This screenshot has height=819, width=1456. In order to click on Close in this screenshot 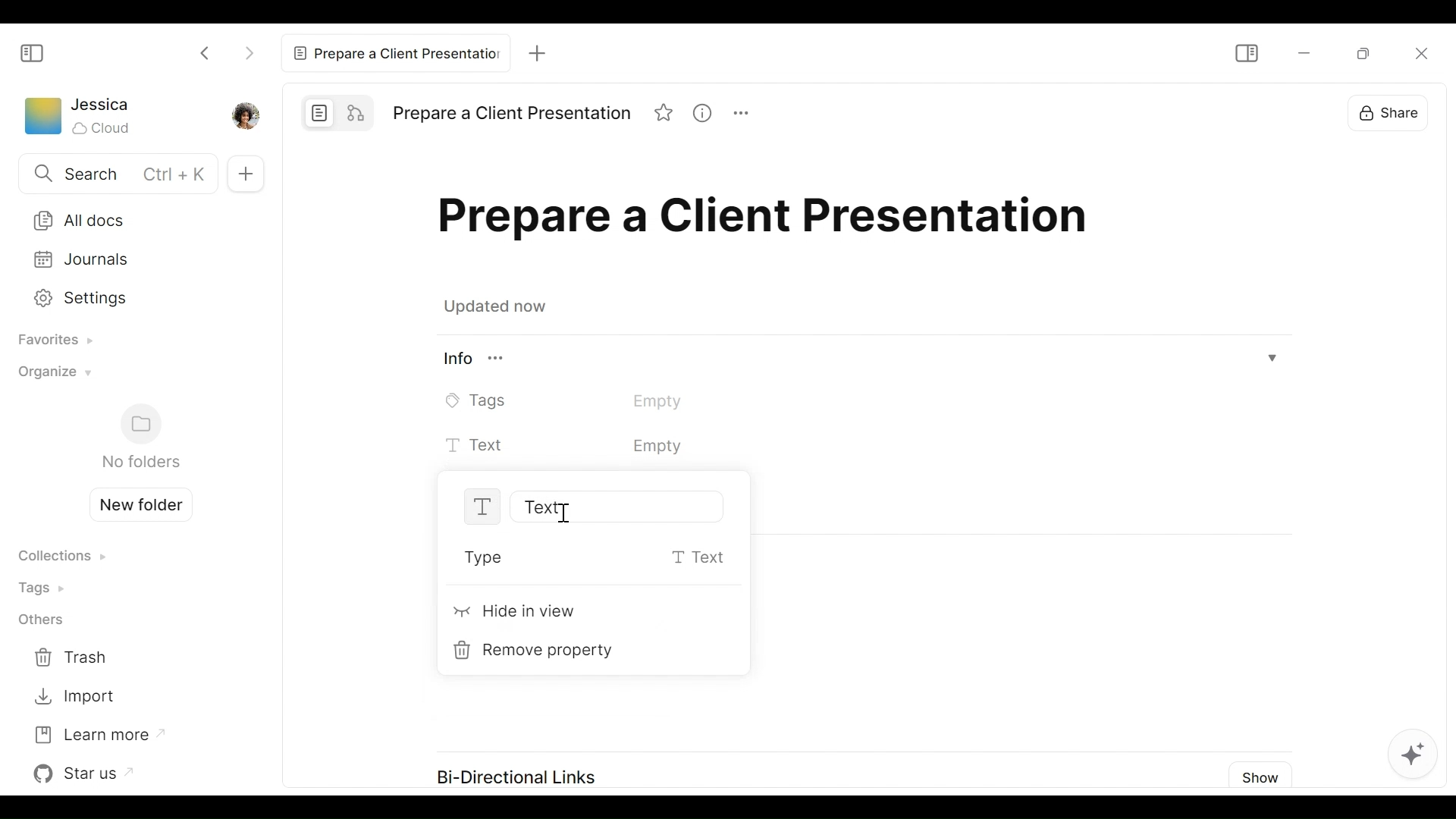, I will do `click(1423, 59)`.